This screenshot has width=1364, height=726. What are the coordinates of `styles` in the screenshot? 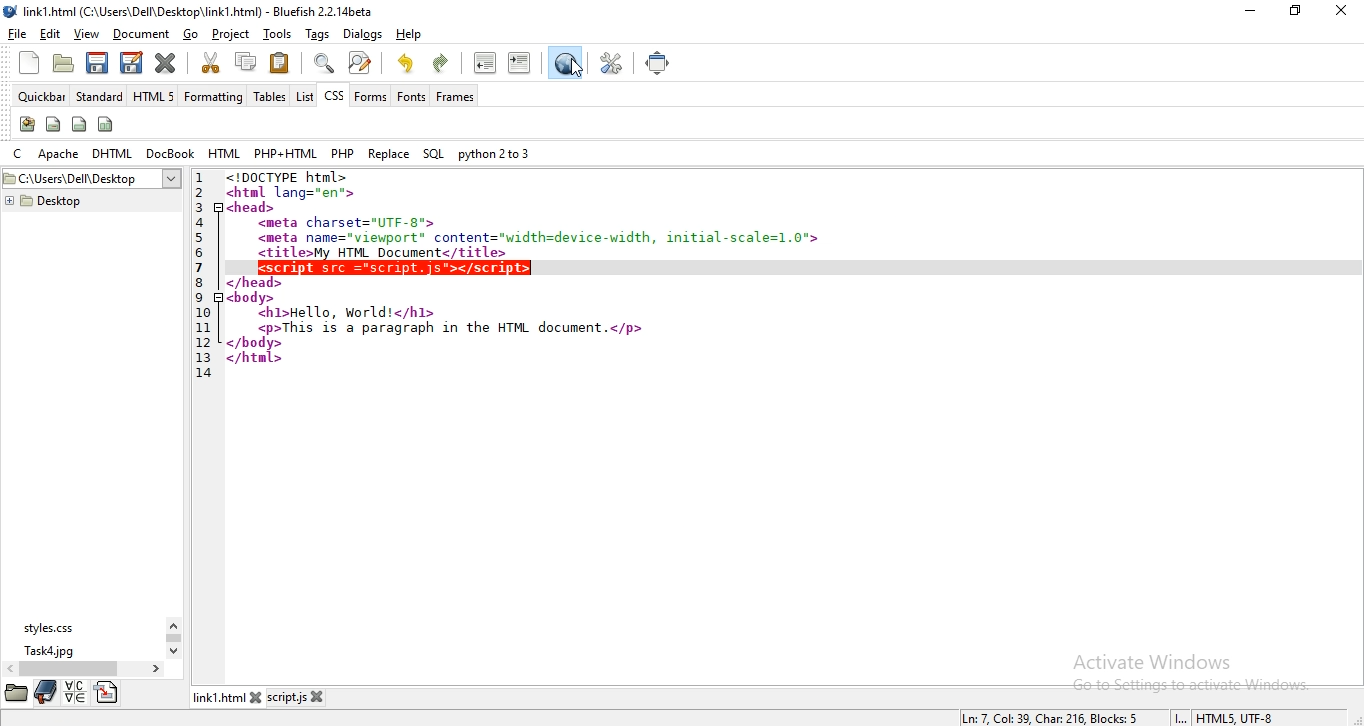 It's located at (54, 626).